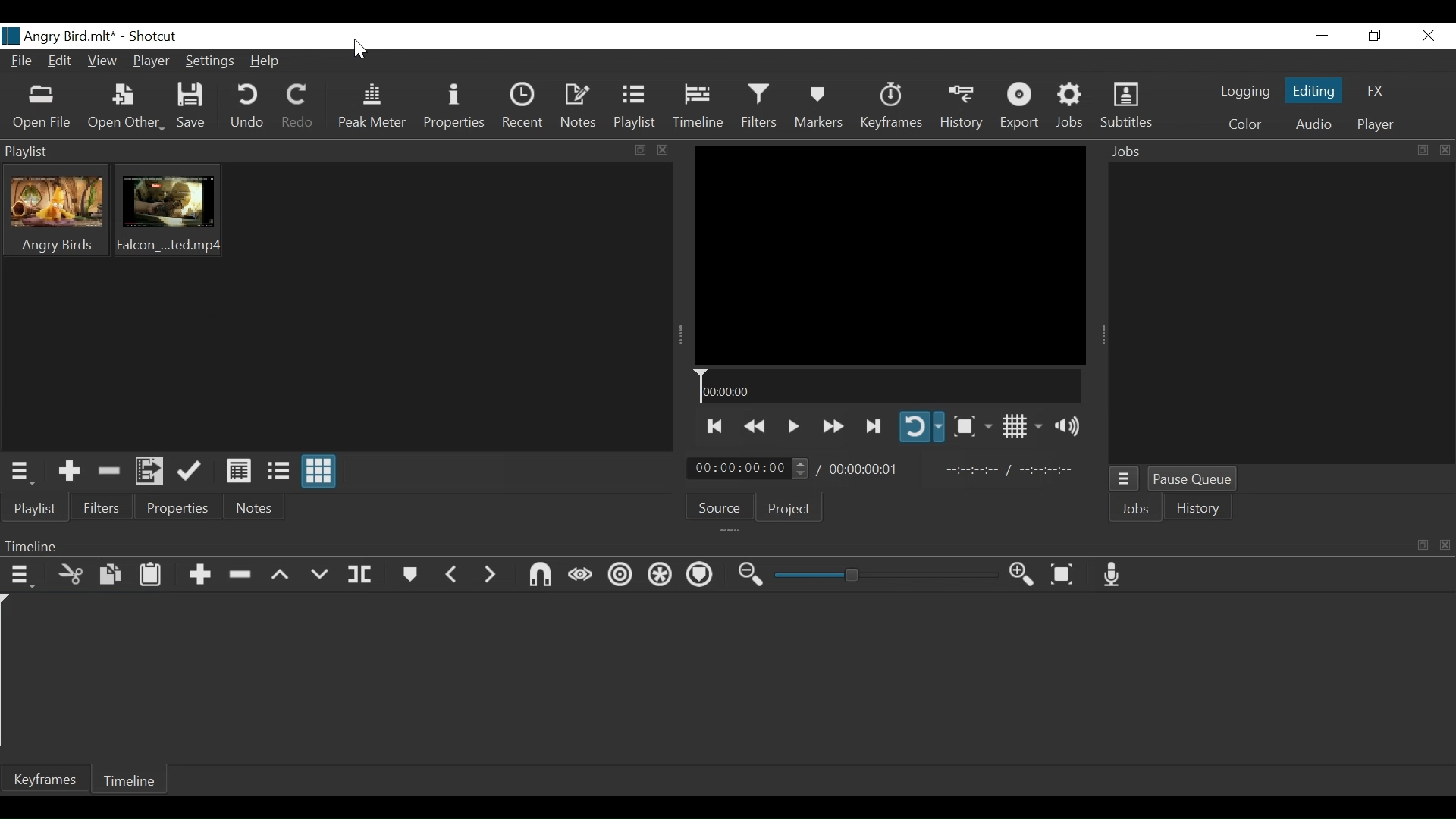  Describe the element at coordinates (319, 472) in the screenshot. I see `View as icons` at that location.